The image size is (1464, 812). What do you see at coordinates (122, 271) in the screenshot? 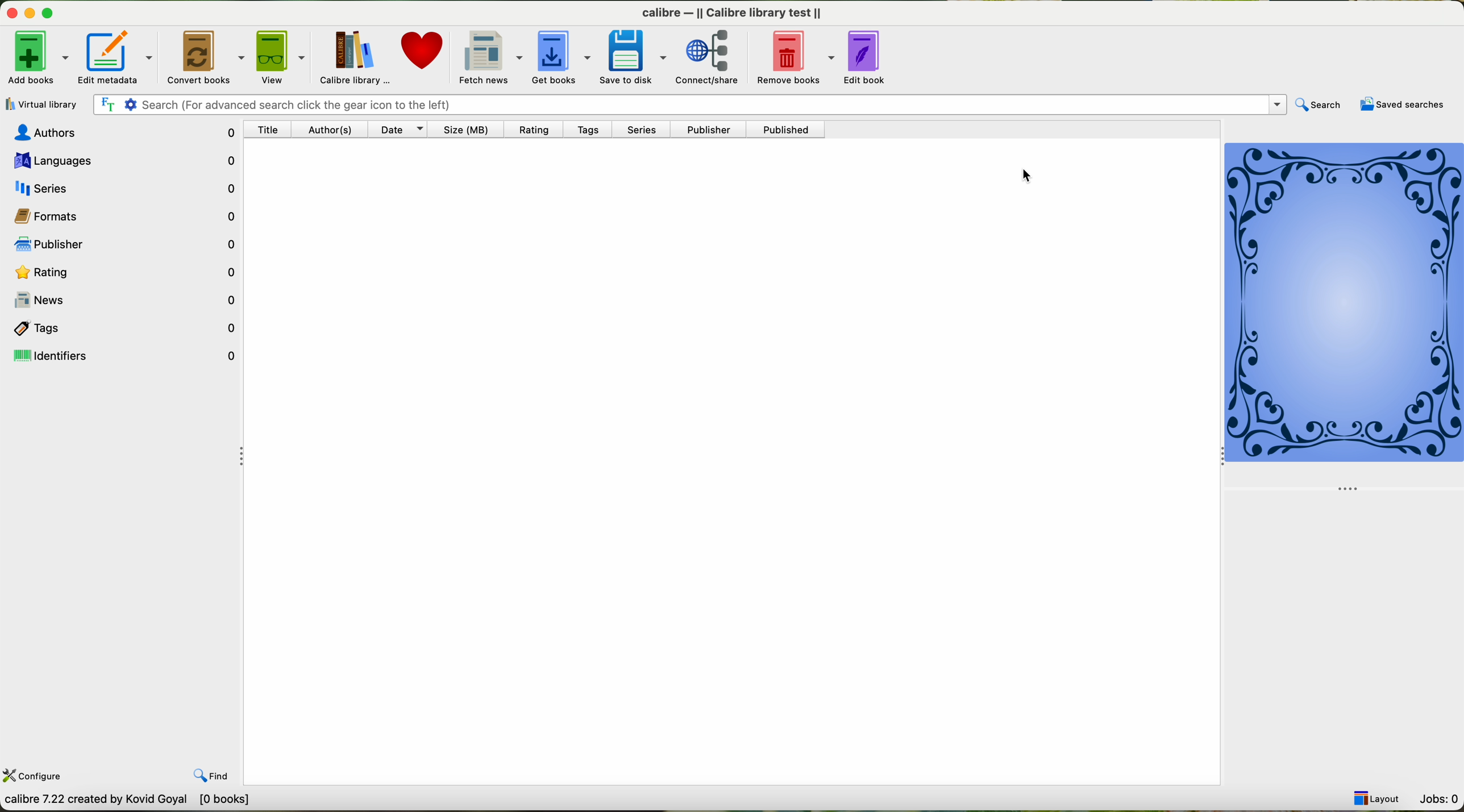
I see `rating` at bounding box center [122, 271].